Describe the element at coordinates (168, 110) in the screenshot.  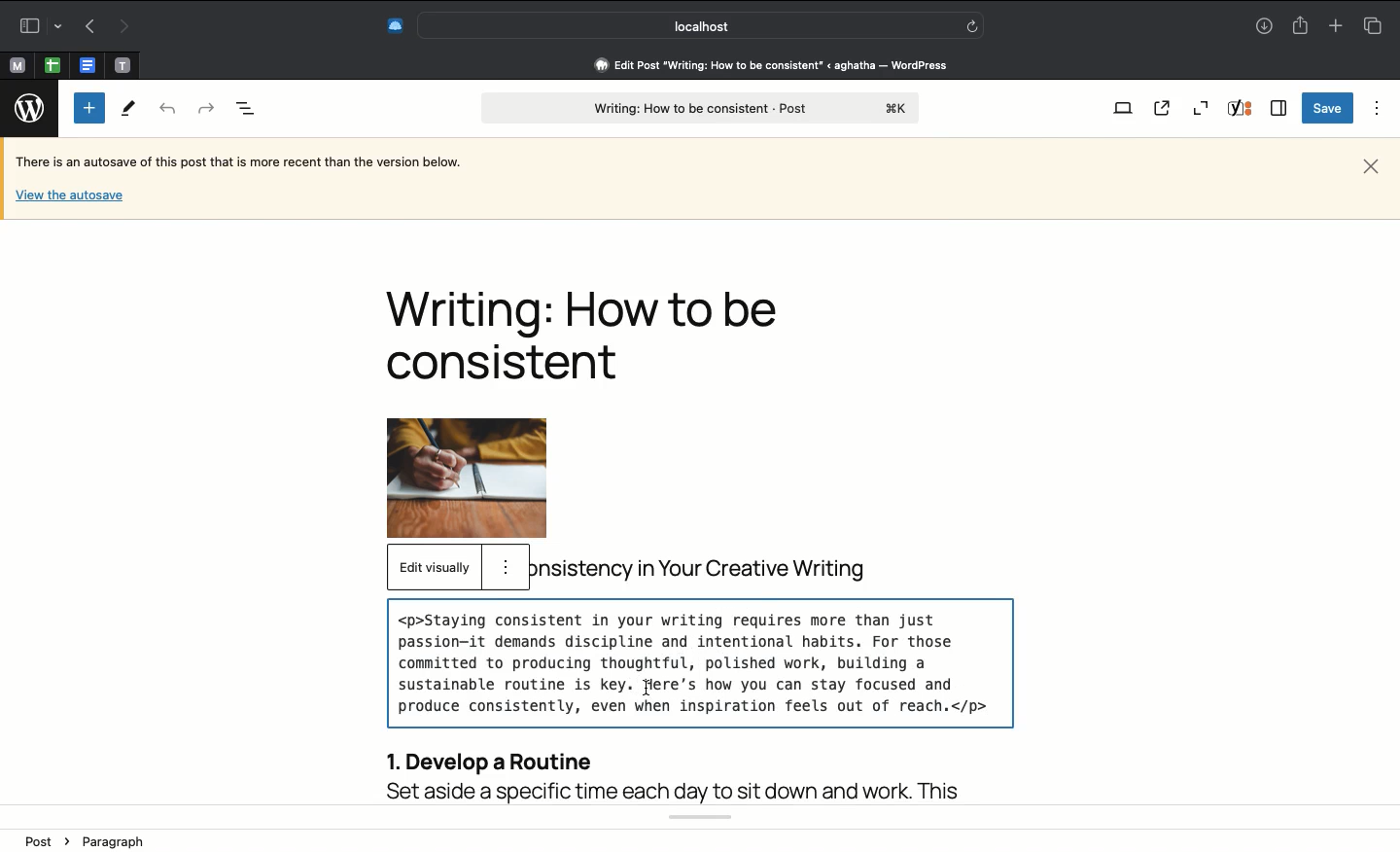
I see `Undo` at that location.